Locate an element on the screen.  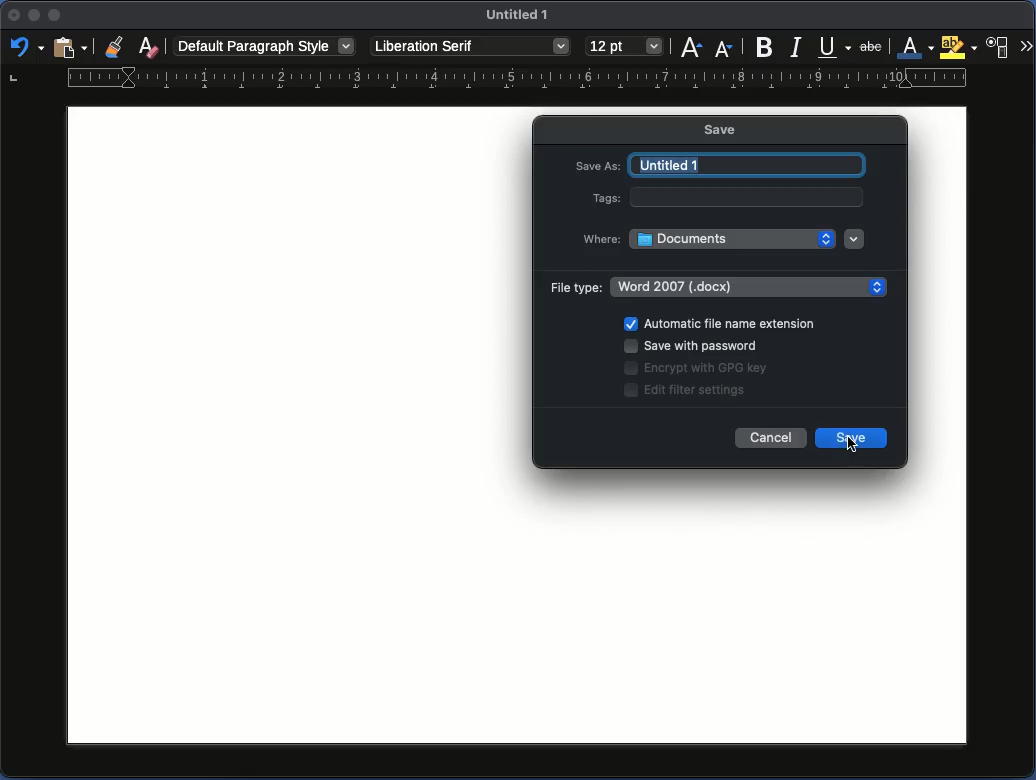
Cursor is located at coordinates (852, 446).